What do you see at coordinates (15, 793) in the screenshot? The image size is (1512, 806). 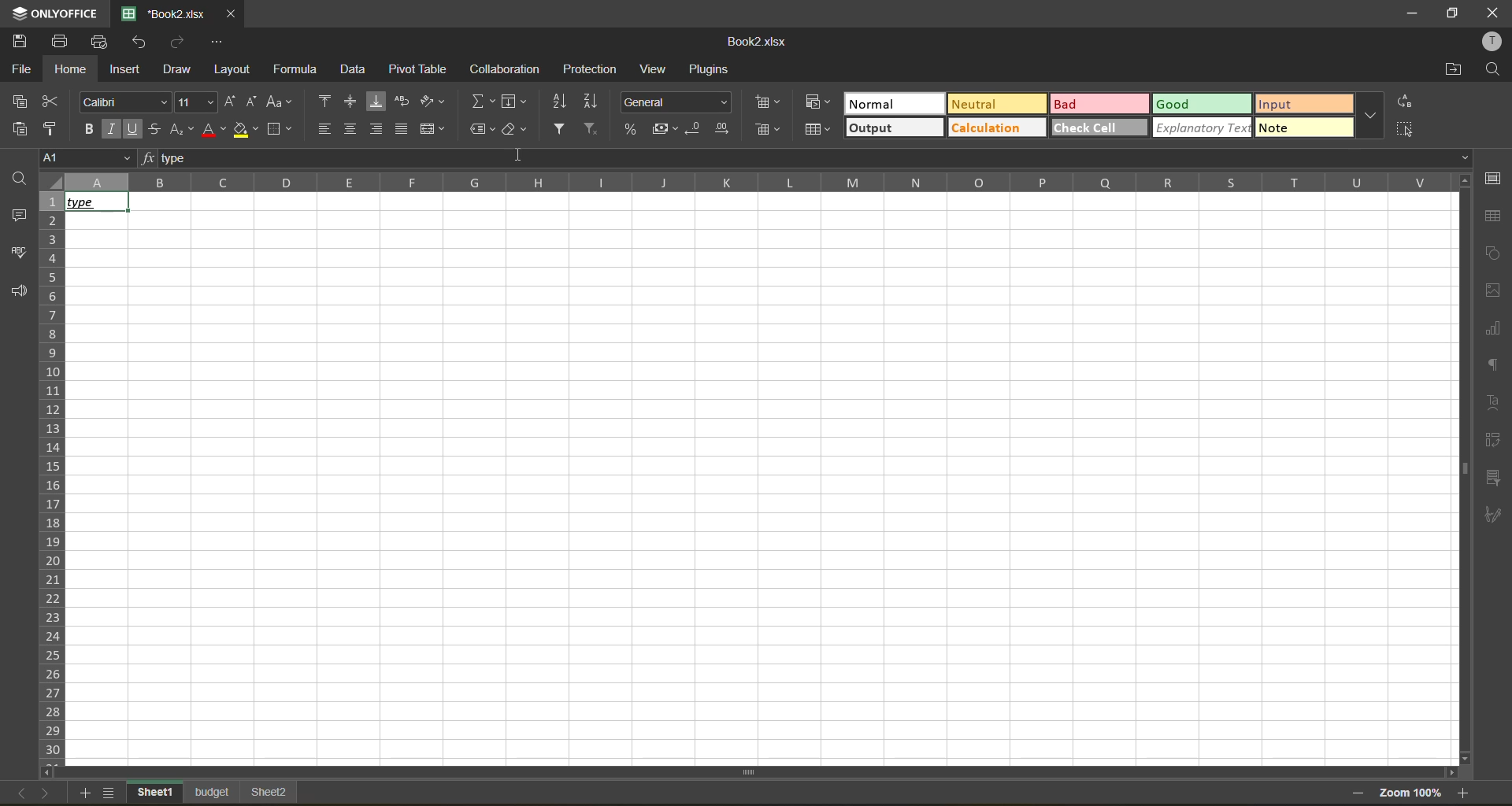 I see `previous` at bounding box center [15, 793].